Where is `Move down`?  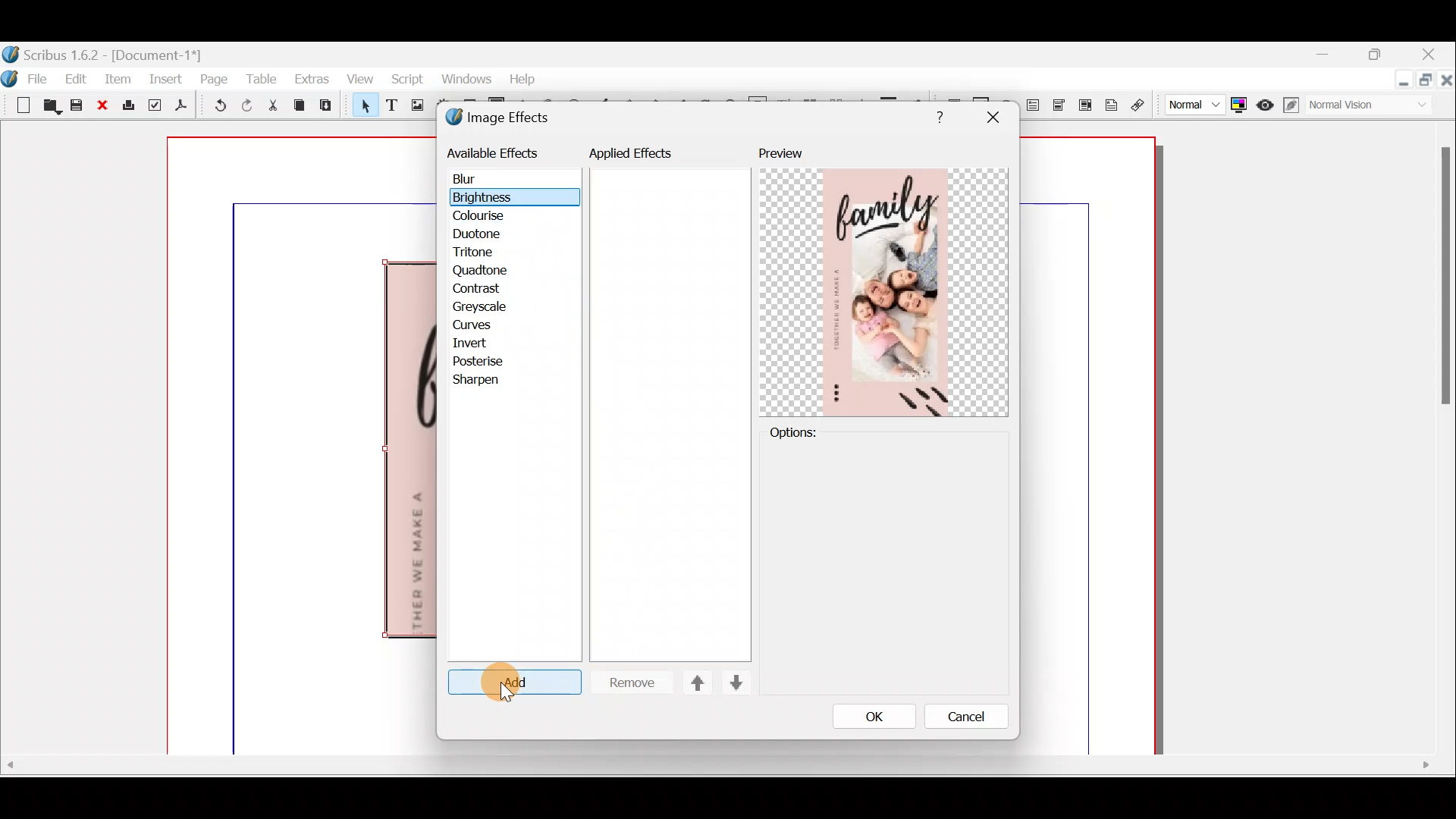
Move down is located at coordinates (734, 682).